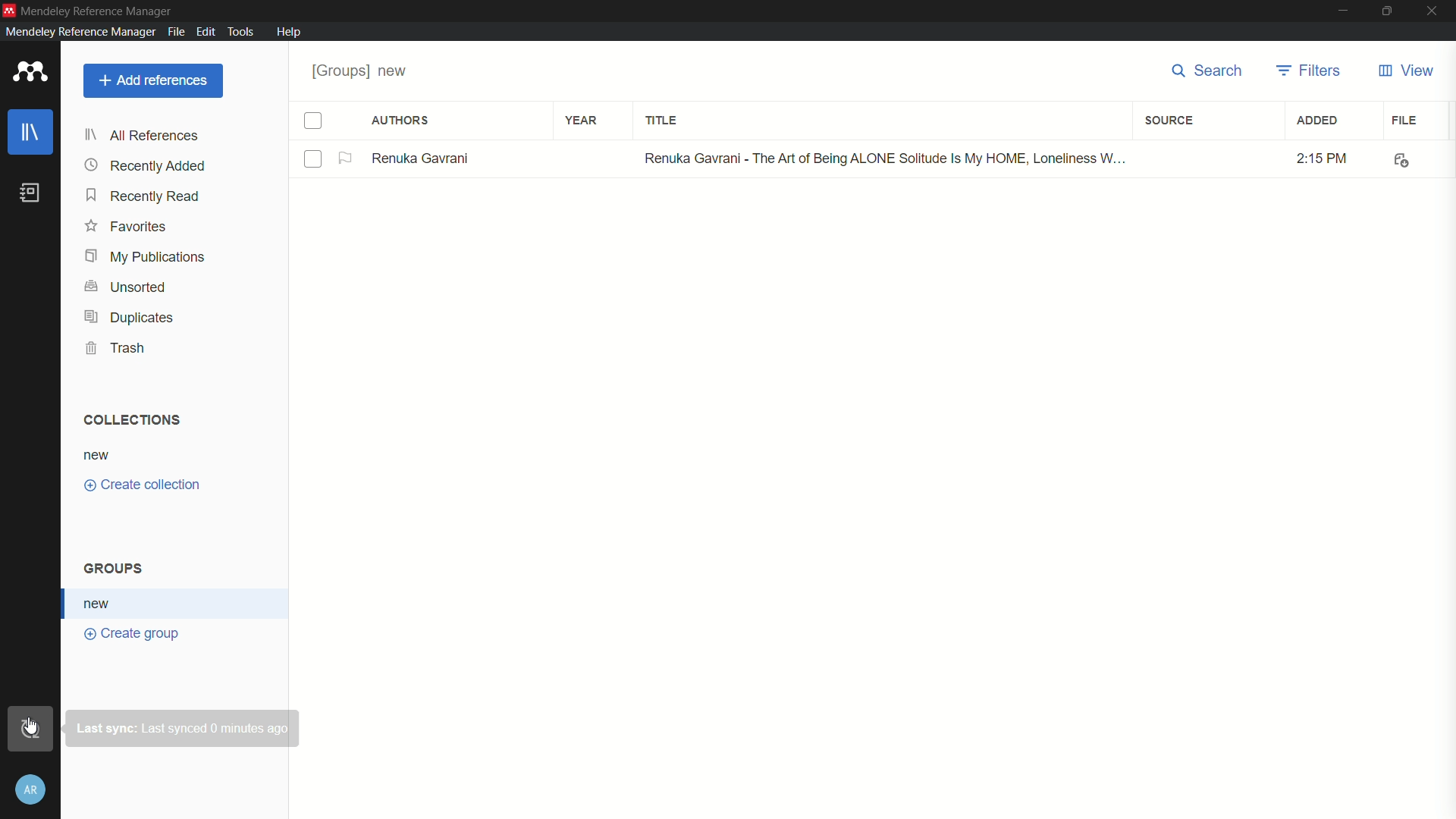 The image size is (1456, 819). What do you see at coordinates (1341, 11) in the screenshot?
I see `minimize` at bounding box center [1341, 11].